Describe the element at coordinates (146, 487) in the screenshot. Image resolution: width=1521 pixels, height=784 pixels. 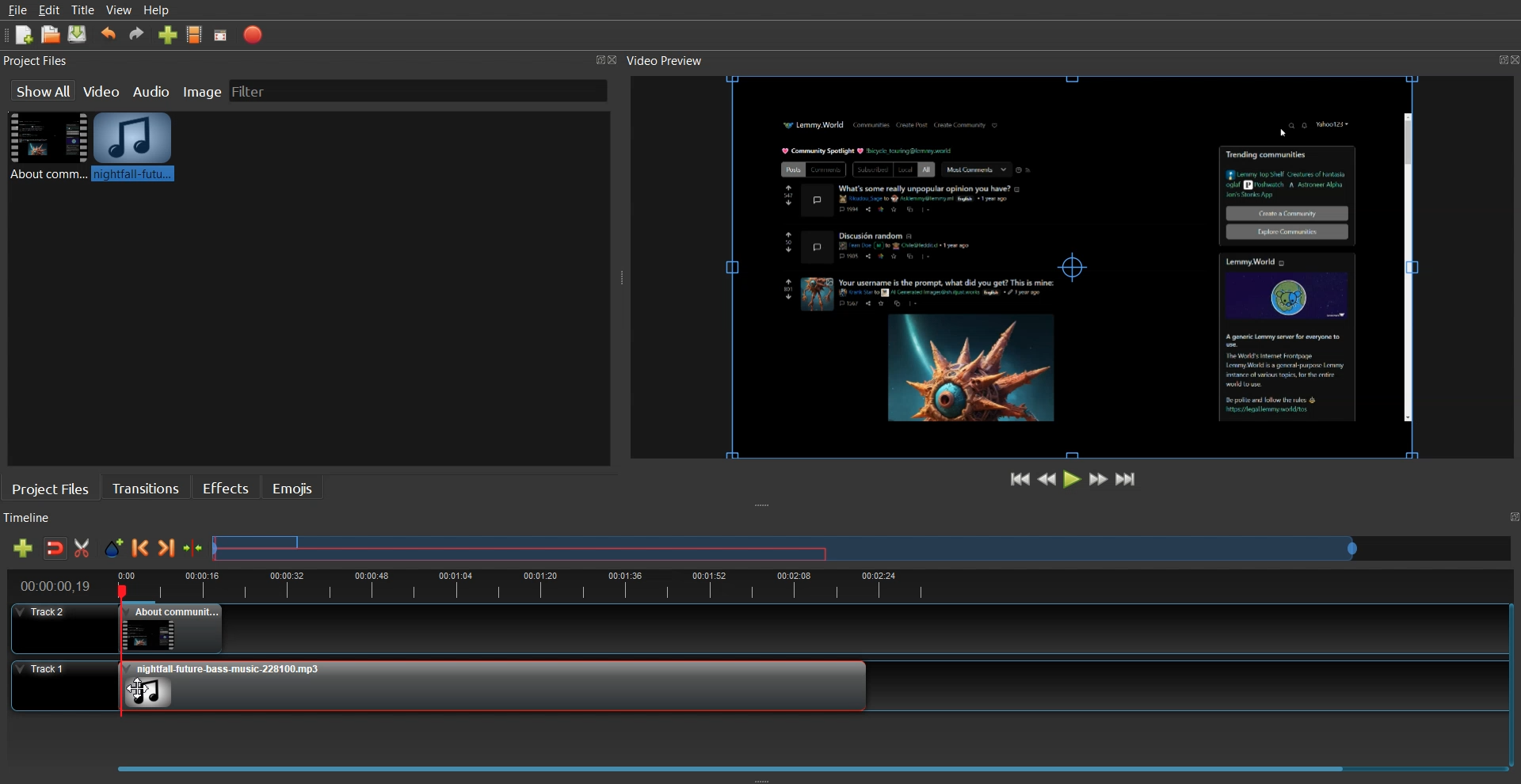
I see `Transition` at that location.